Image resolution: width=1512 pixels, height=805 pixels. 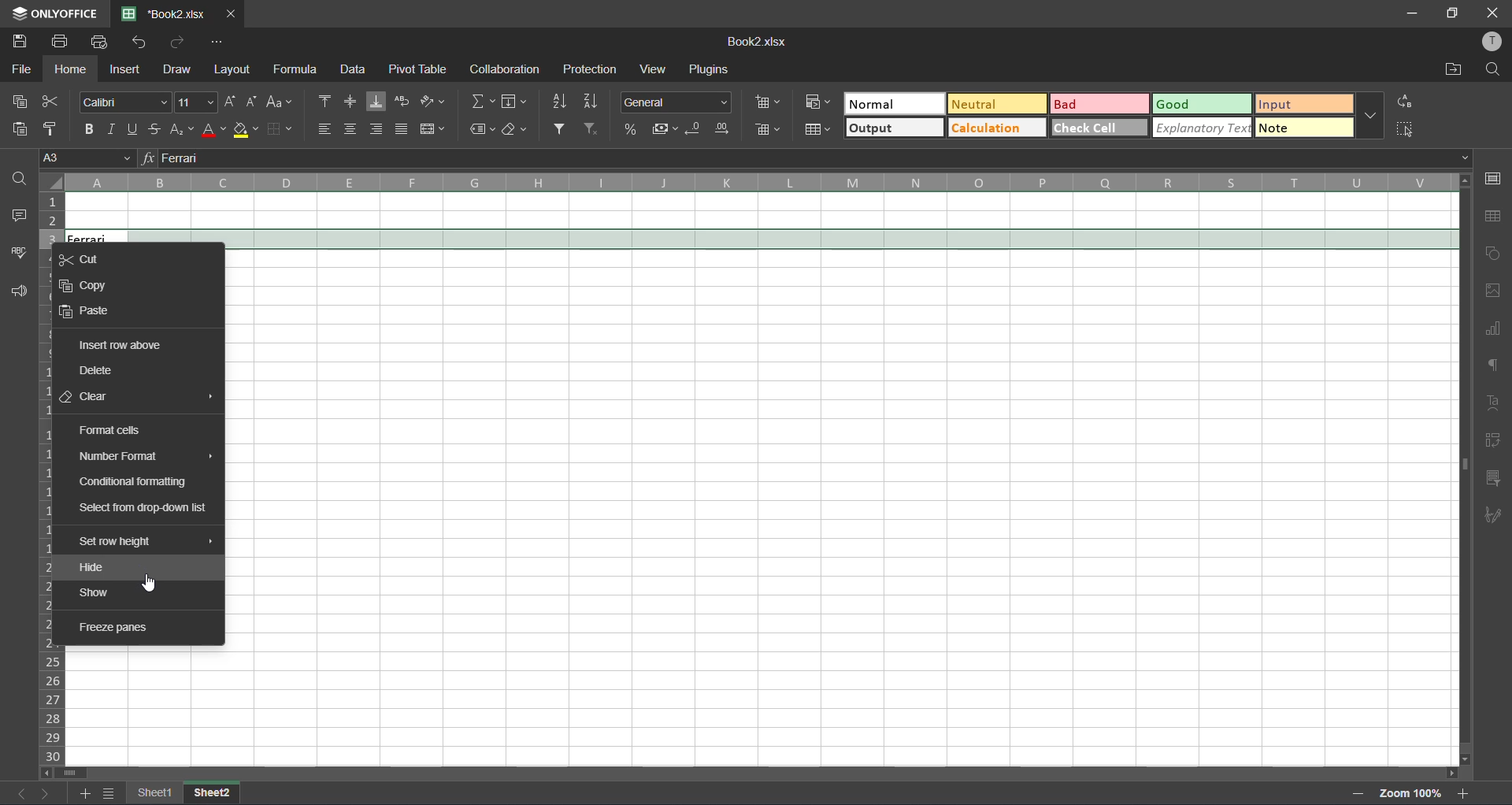 I want to click on align left, so click(x=324, y=129).